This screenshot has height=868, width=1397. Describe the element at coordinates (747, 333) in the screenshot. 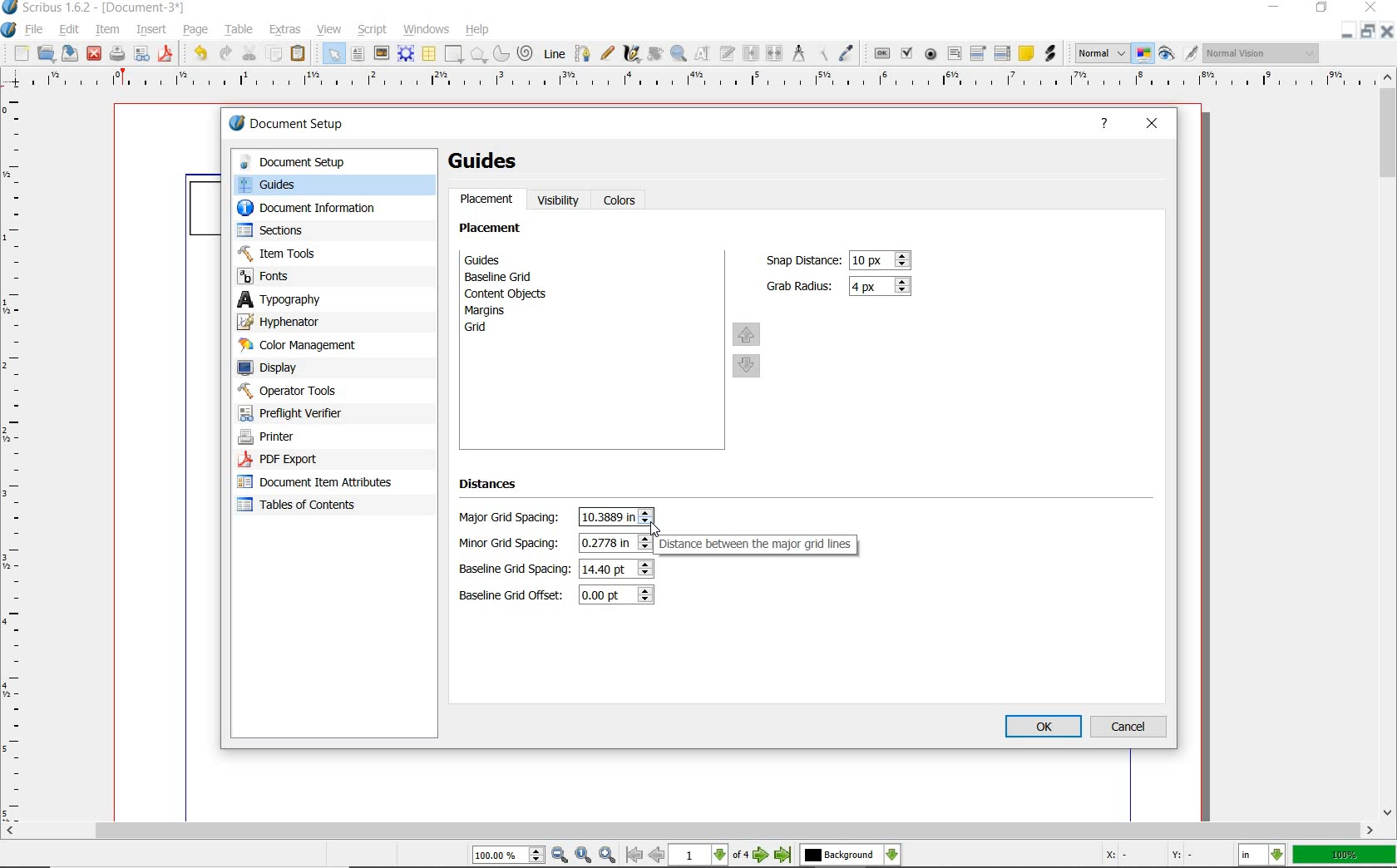

I see `move up` at that location.